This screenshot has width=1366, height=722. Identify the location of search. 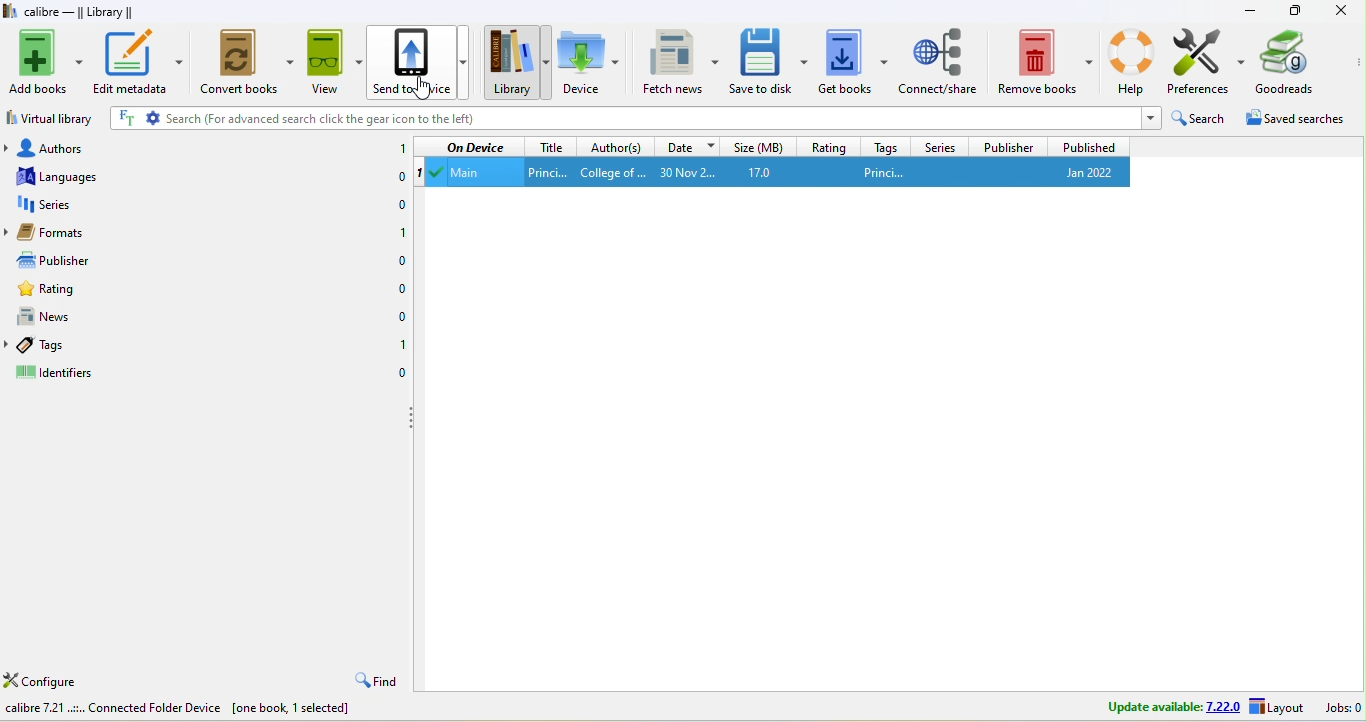
(635, 119).